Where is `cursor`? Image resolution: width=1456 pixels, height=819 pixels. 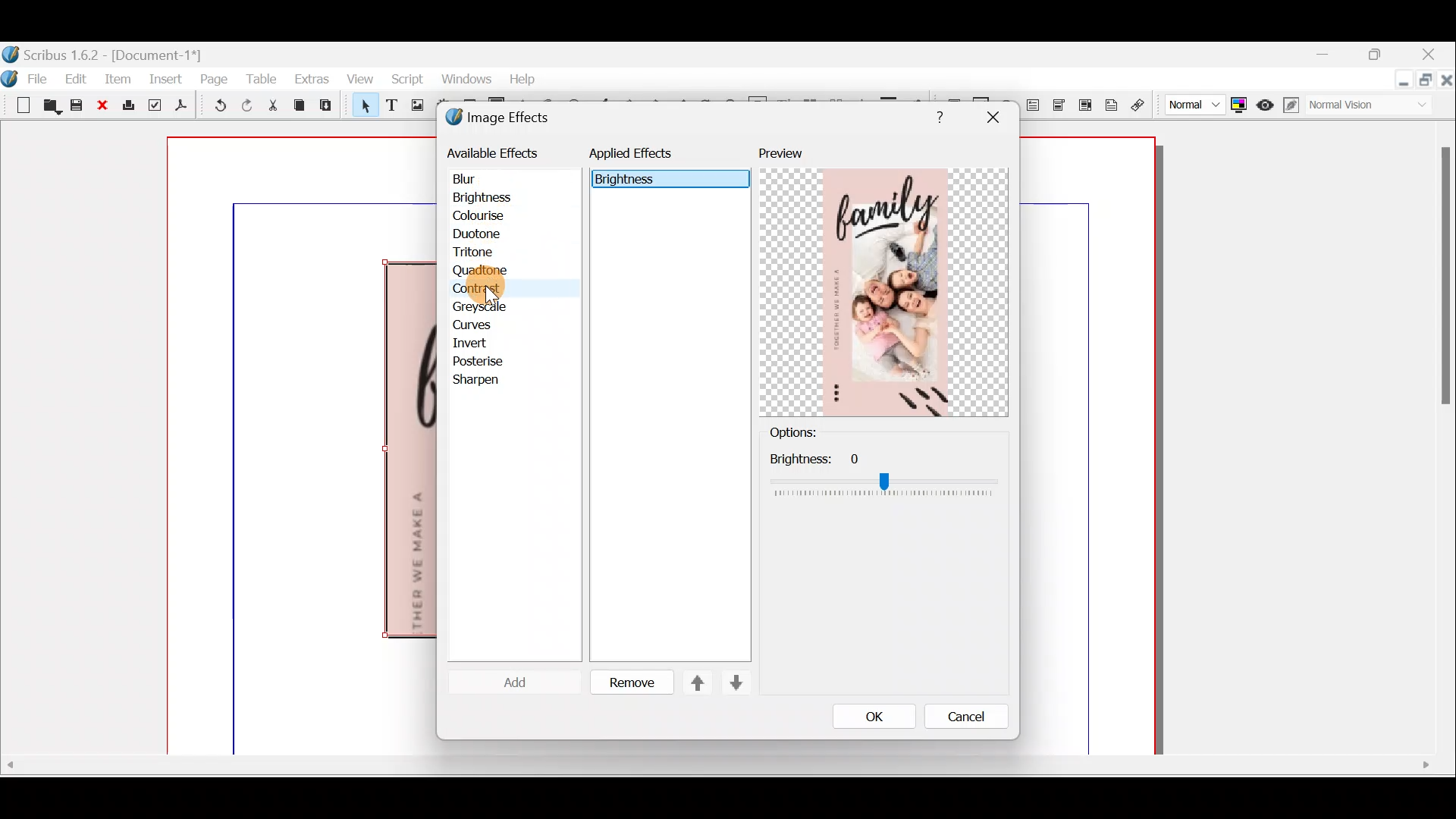
cursor is located at coordinates (488, 289).